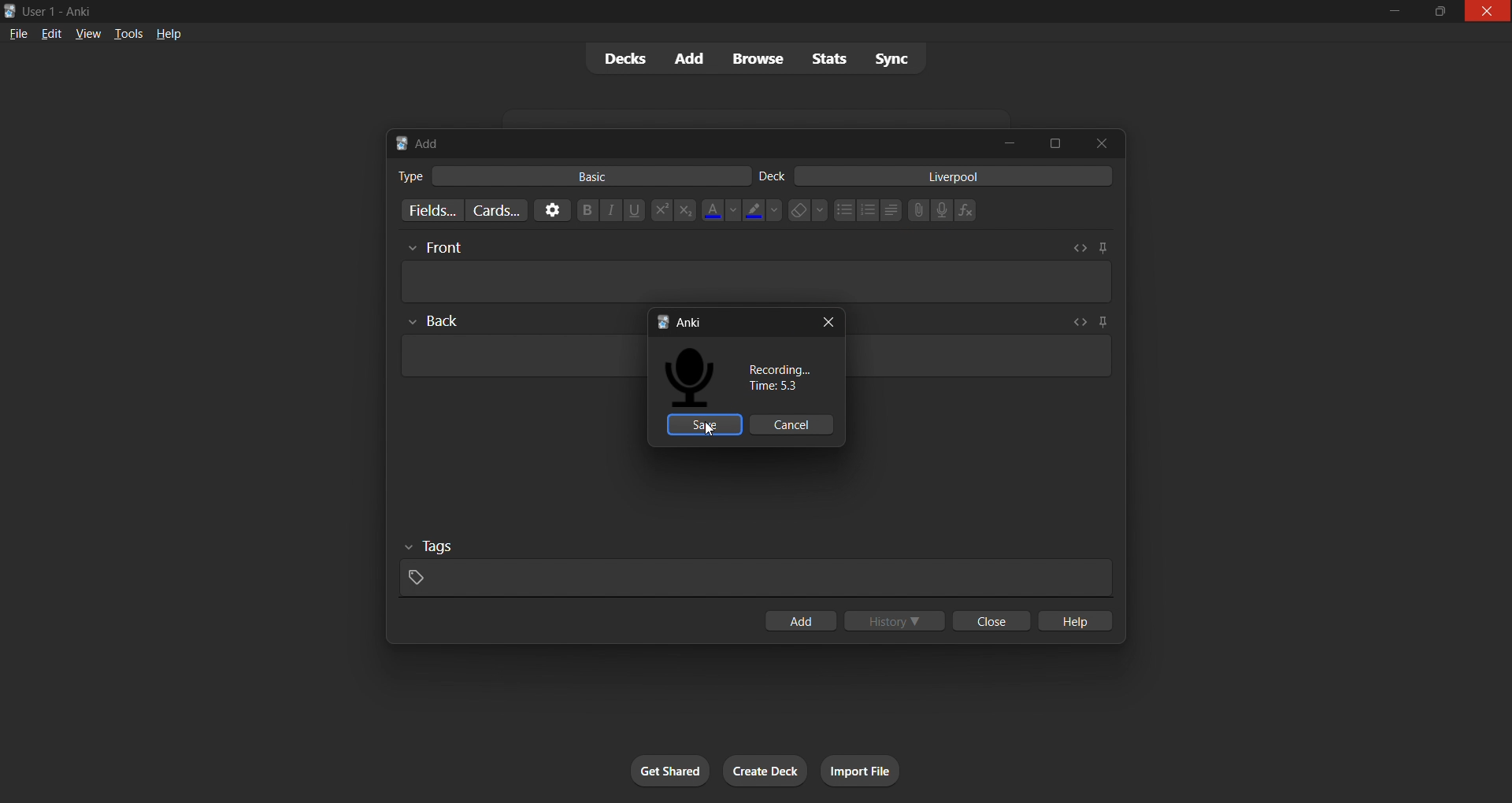 This screenshot has height=803, width=1512. What do you see at coordinates (51, 35) in the screenshot?
I see `edit` at bounding box center [51, 35].